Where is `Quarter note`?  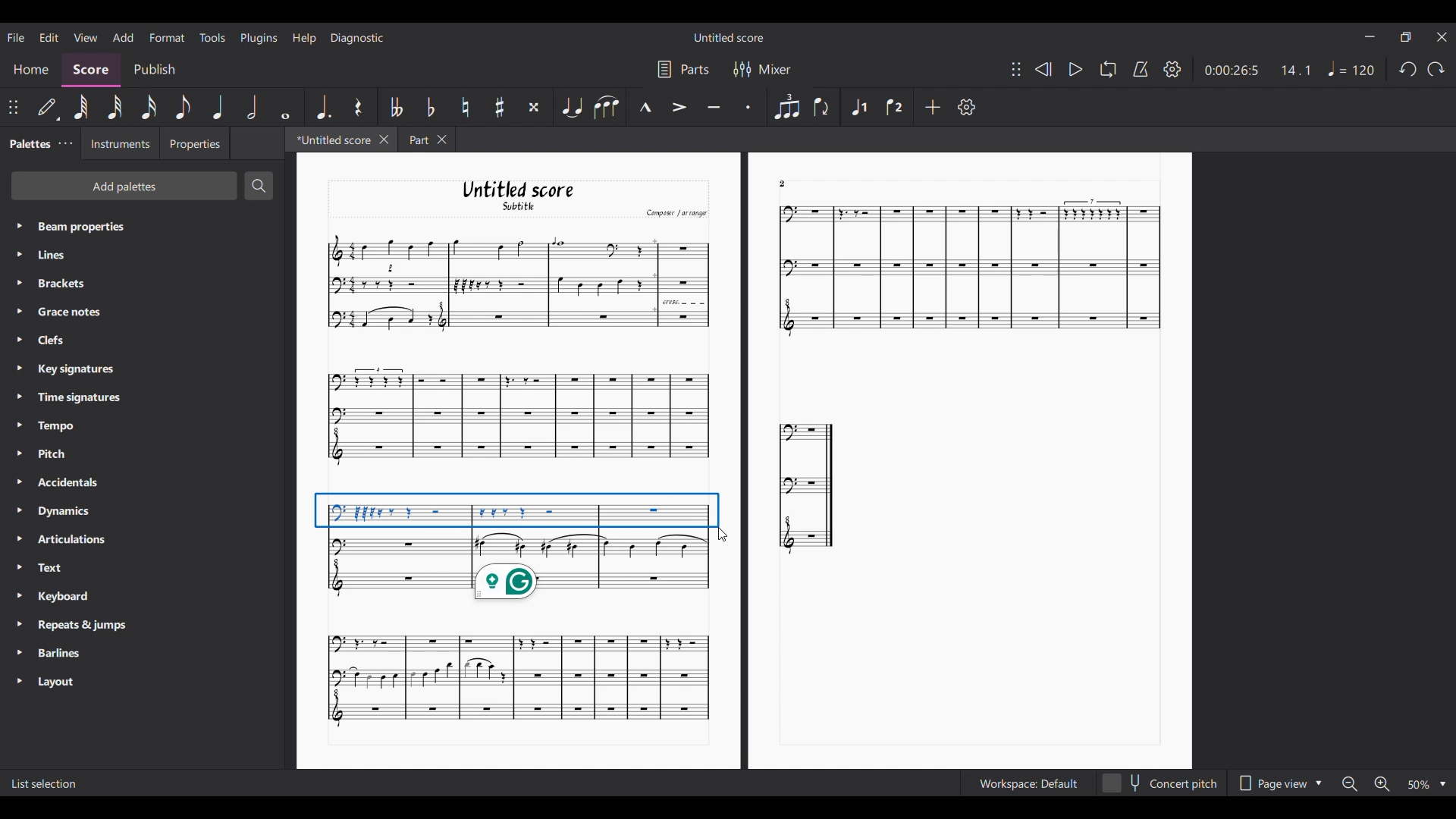 Quarter note is located at coordinates (217, 107).